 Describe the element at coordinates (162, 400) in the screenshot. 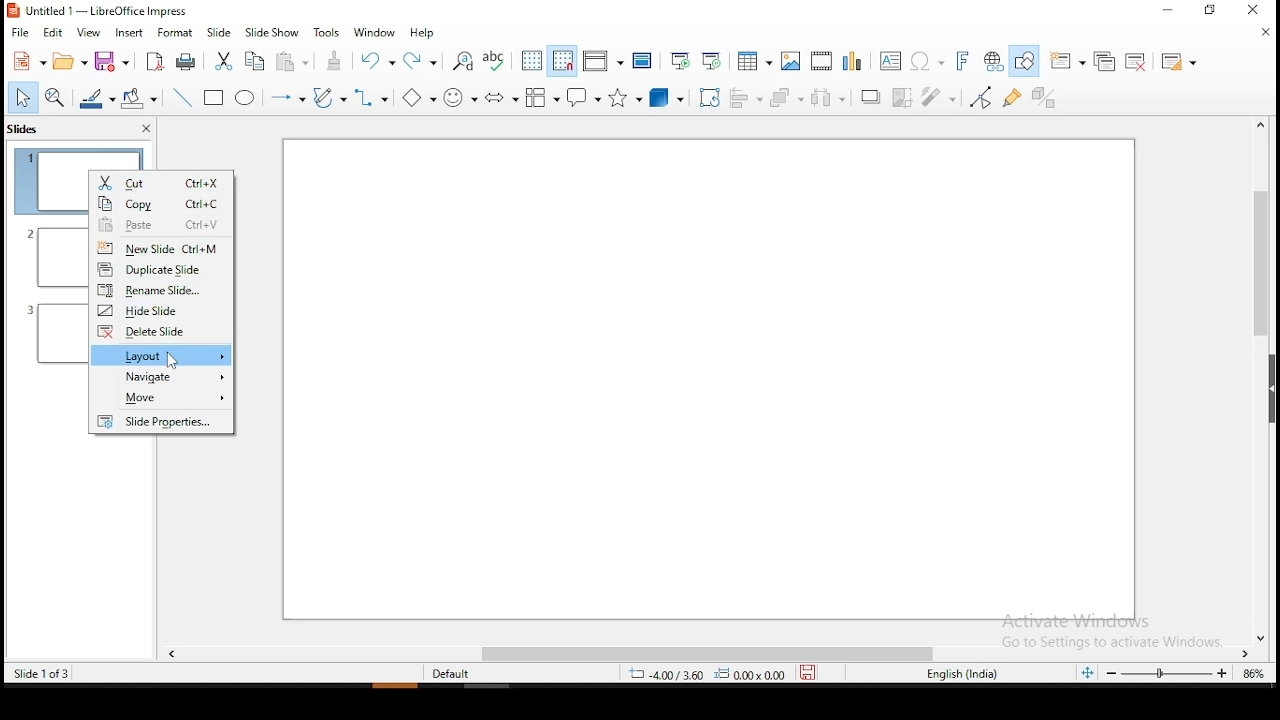

I see `move` at that location.